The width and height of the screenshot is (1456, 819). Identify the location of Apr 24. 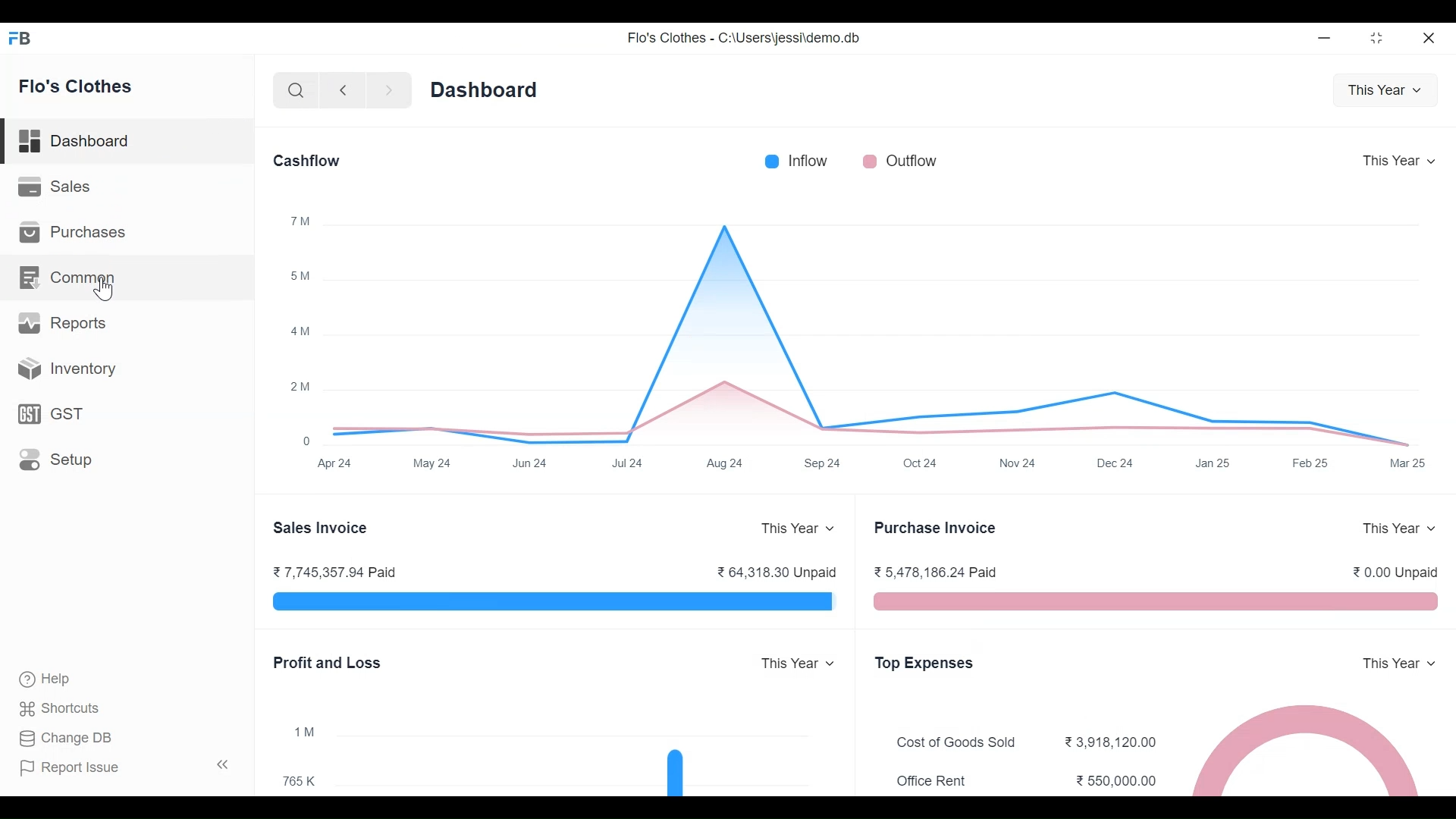
(333, 463).